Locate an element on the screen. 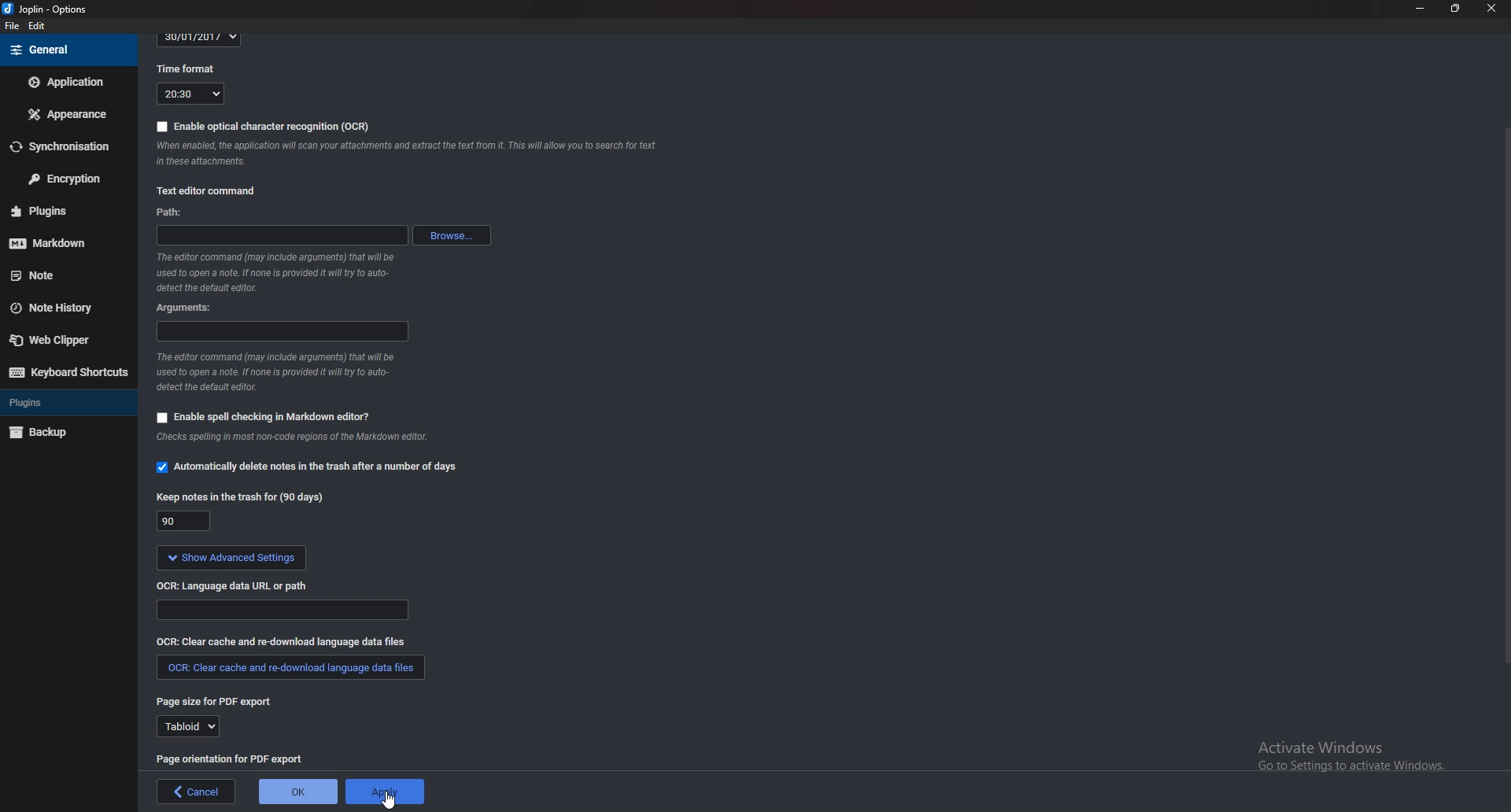 The width and height of the screenshot is (1511, 812). Arguments is located at coordinates (191, 308).